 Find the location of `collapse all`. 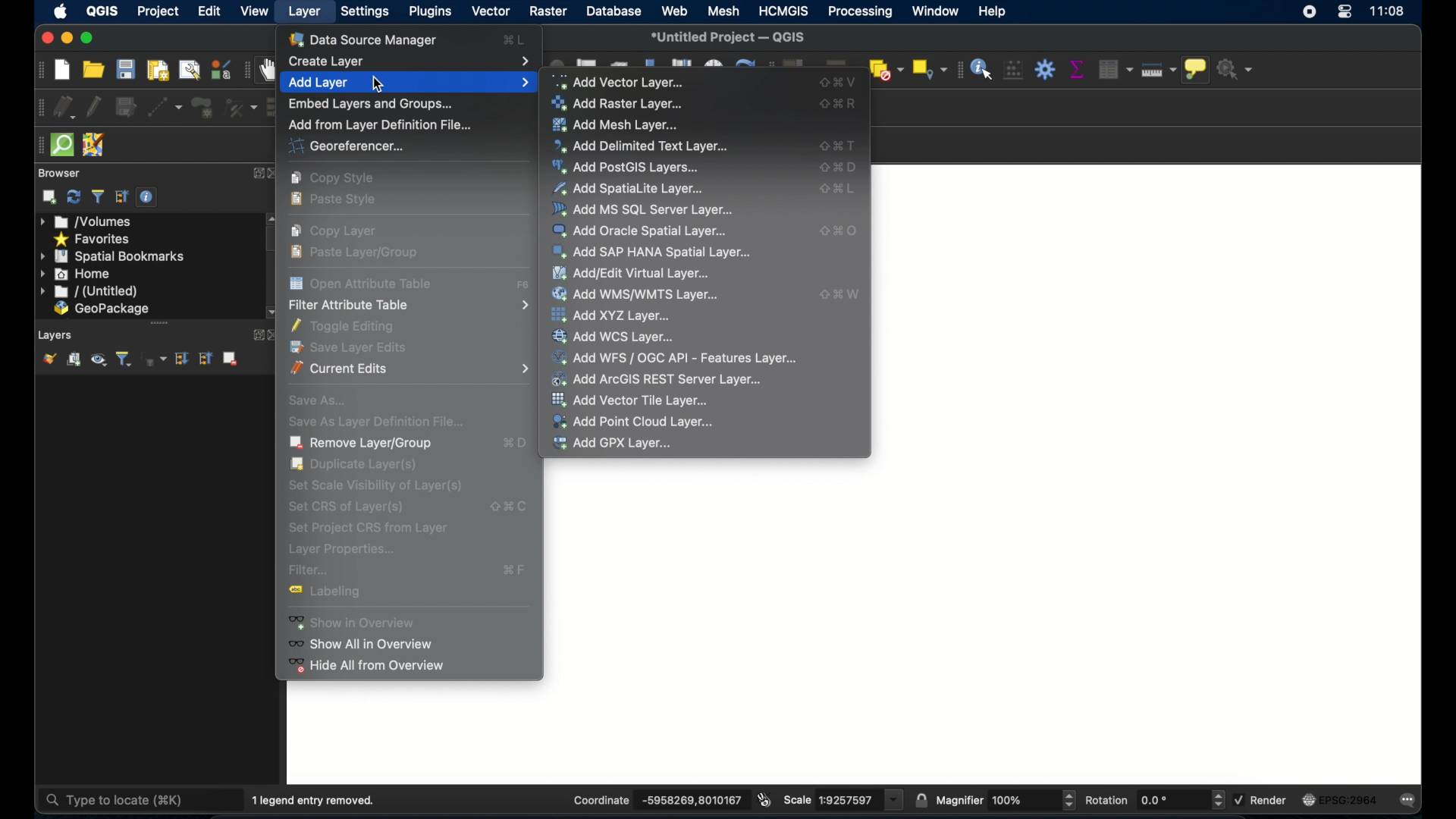

collapse all is located at coordinates (120, 196).